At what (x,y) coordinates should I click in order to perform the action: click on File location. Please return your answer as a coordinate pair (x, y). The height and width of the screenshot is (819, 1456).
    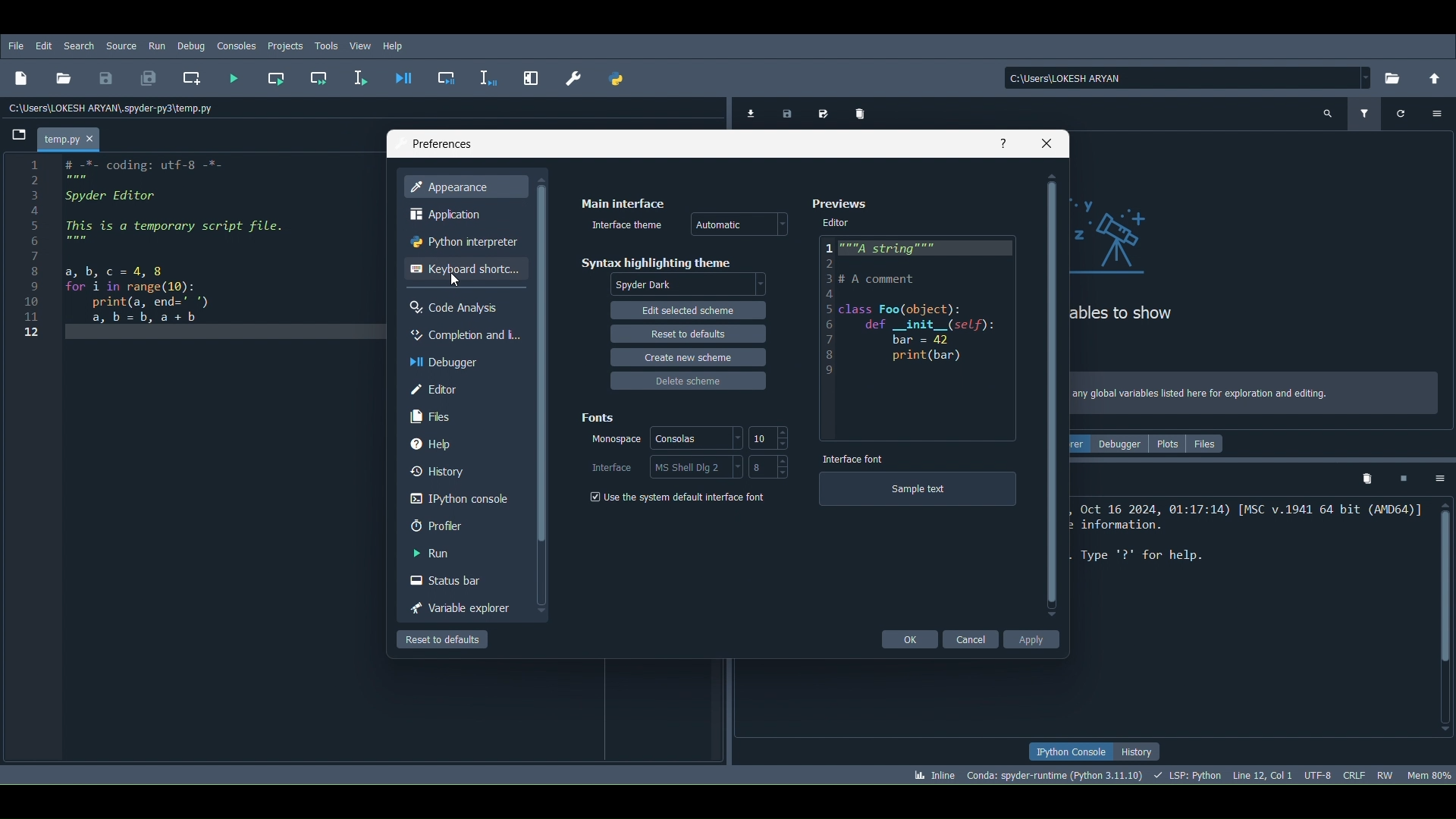
    Looking at the image, I should click on (1189, 77).